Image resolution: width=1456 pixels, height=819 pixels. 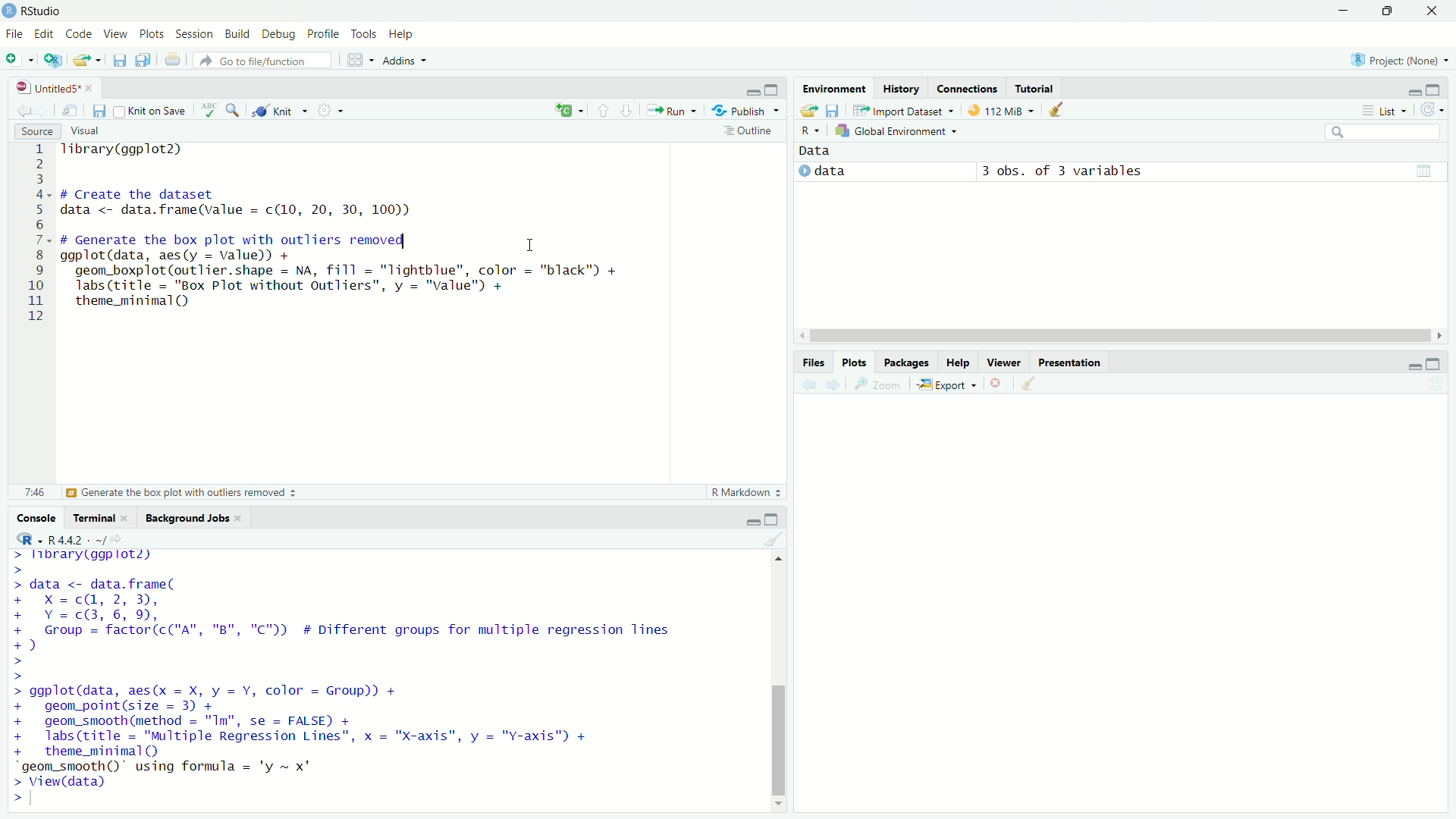 I want to click on maximise, so click(x=1392, y=14).